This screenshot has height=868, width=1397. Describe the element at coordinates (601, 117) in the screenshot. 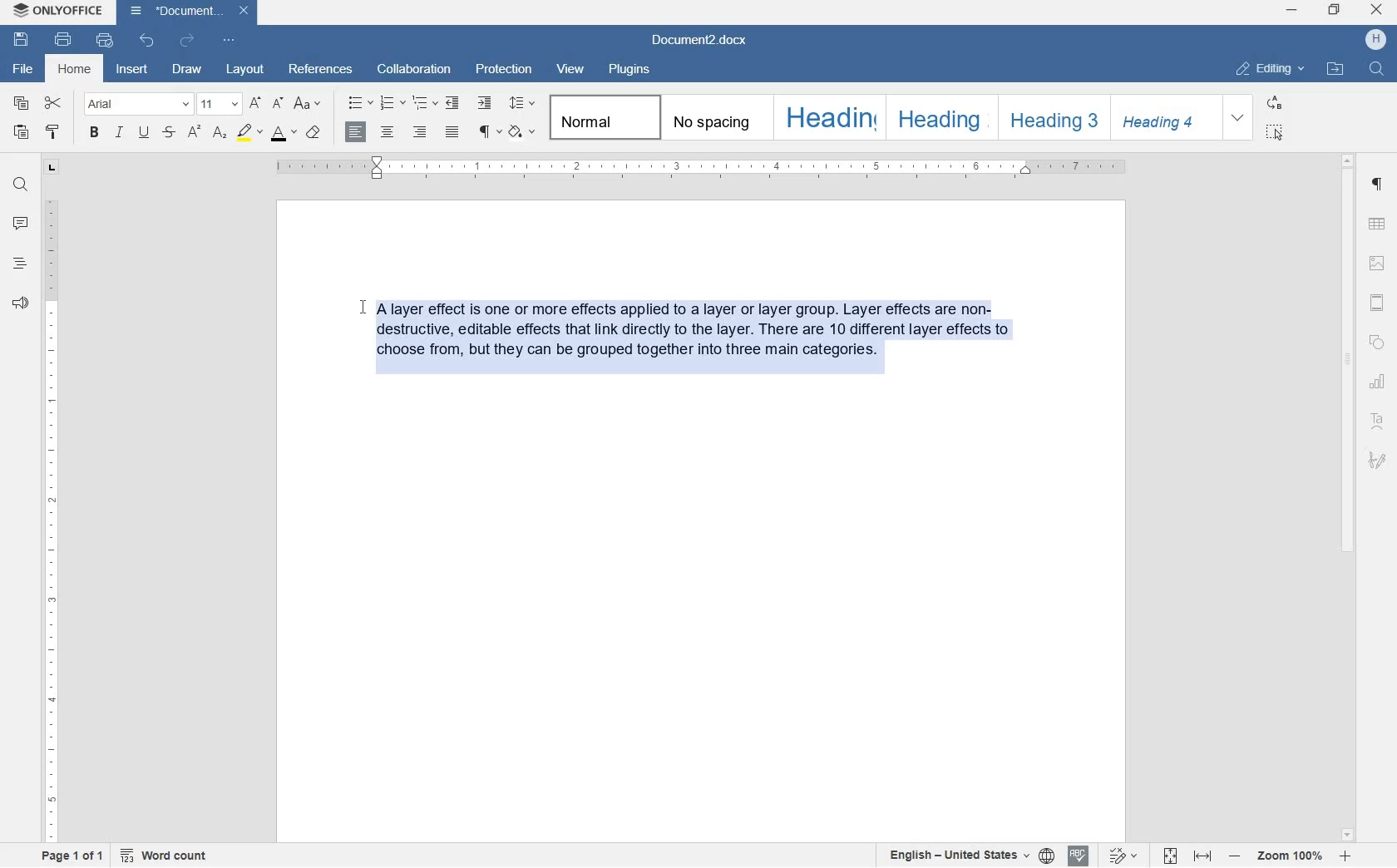

I see `normal` at that location.